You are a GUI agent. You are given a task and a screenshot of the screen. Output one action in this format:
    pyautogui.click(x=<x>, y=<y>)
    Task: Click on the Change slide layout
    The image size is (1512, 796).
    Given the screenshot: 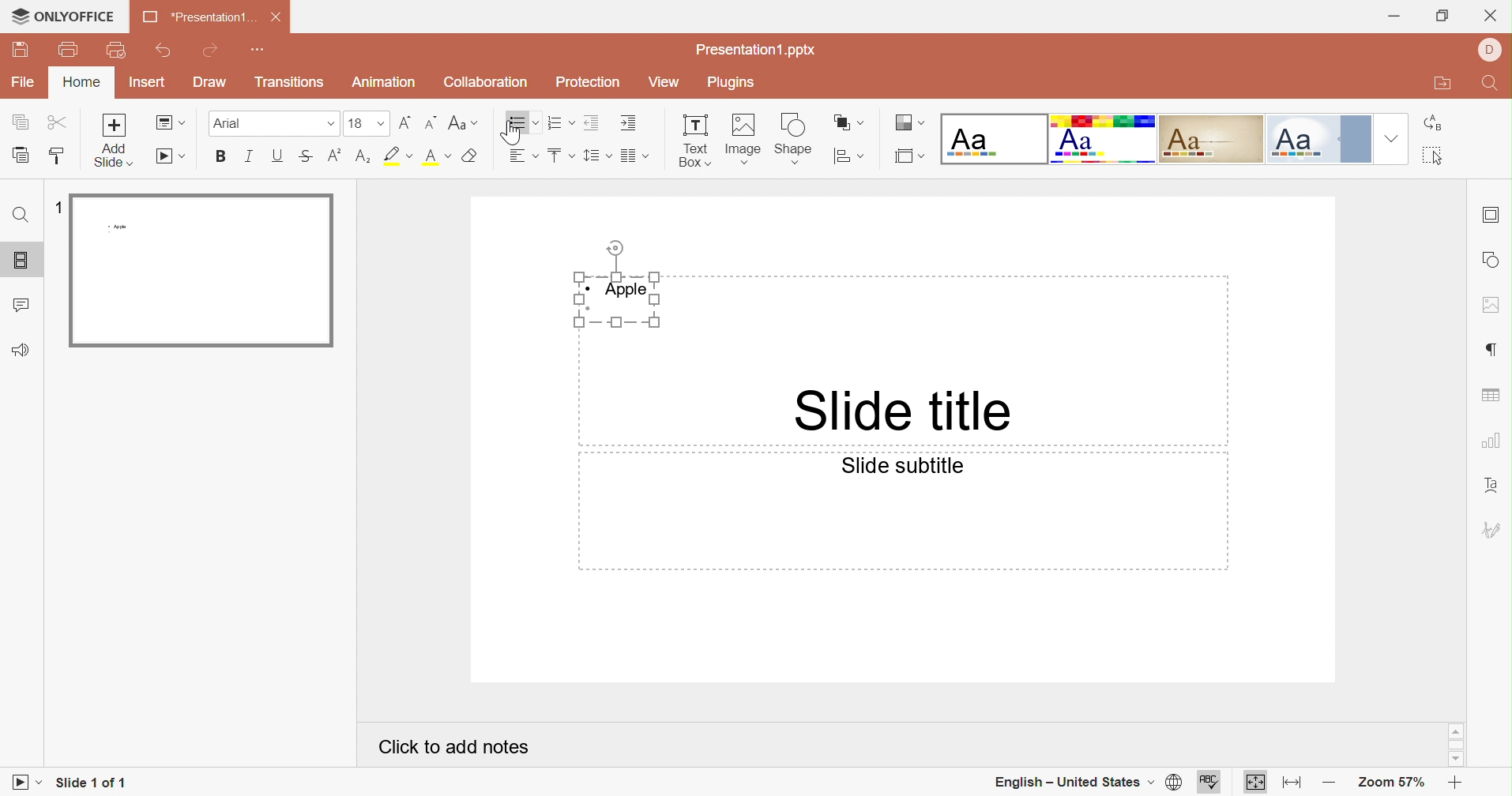 What is the action you would take?
    pyautogui.click(x=171, y=123)
    